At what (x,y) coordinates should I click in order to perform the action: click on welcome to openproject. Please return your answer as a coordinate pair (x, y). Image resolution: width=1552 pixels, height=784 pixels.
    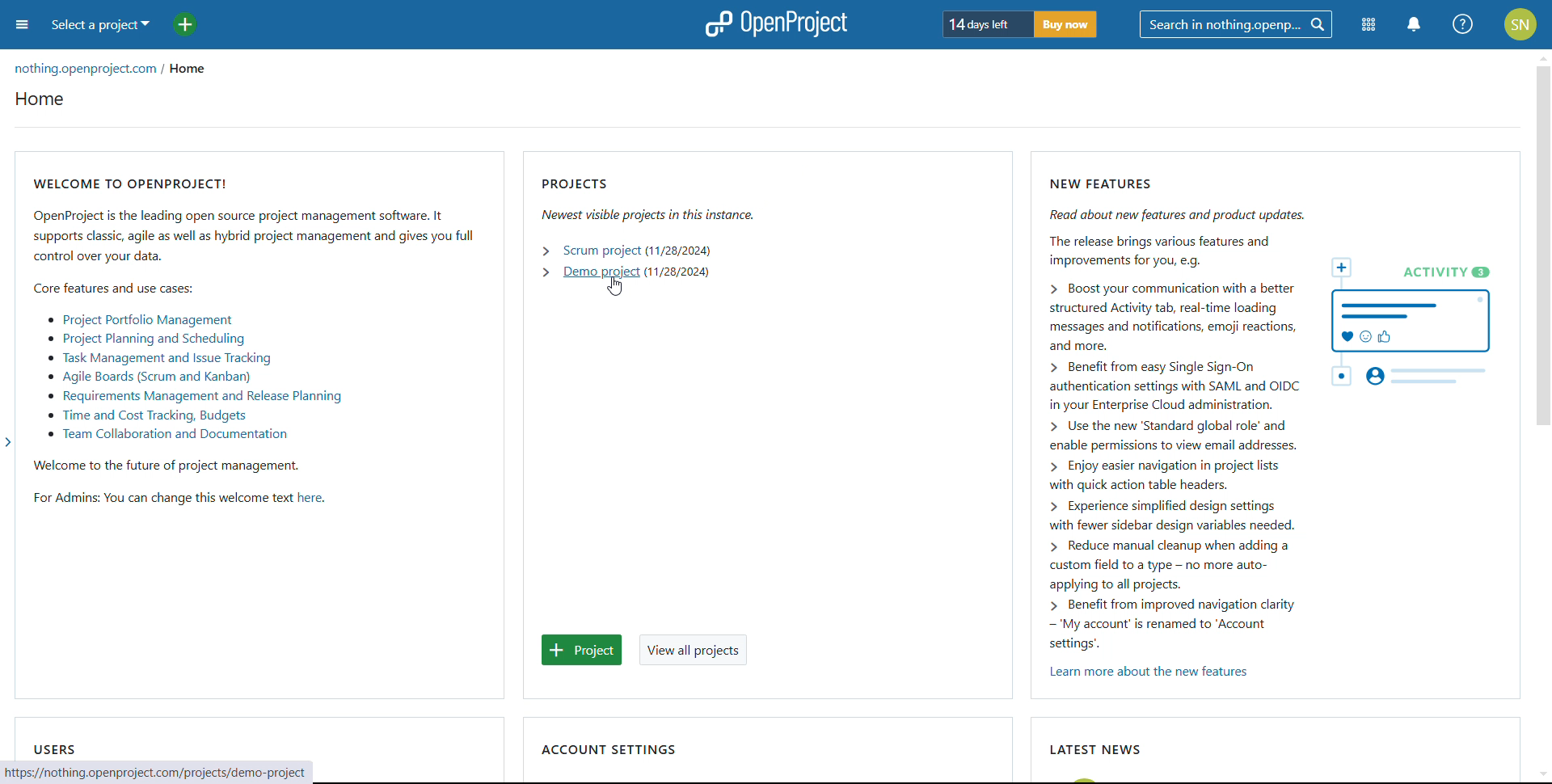
    Looking at the image, I should click on (255, 341).